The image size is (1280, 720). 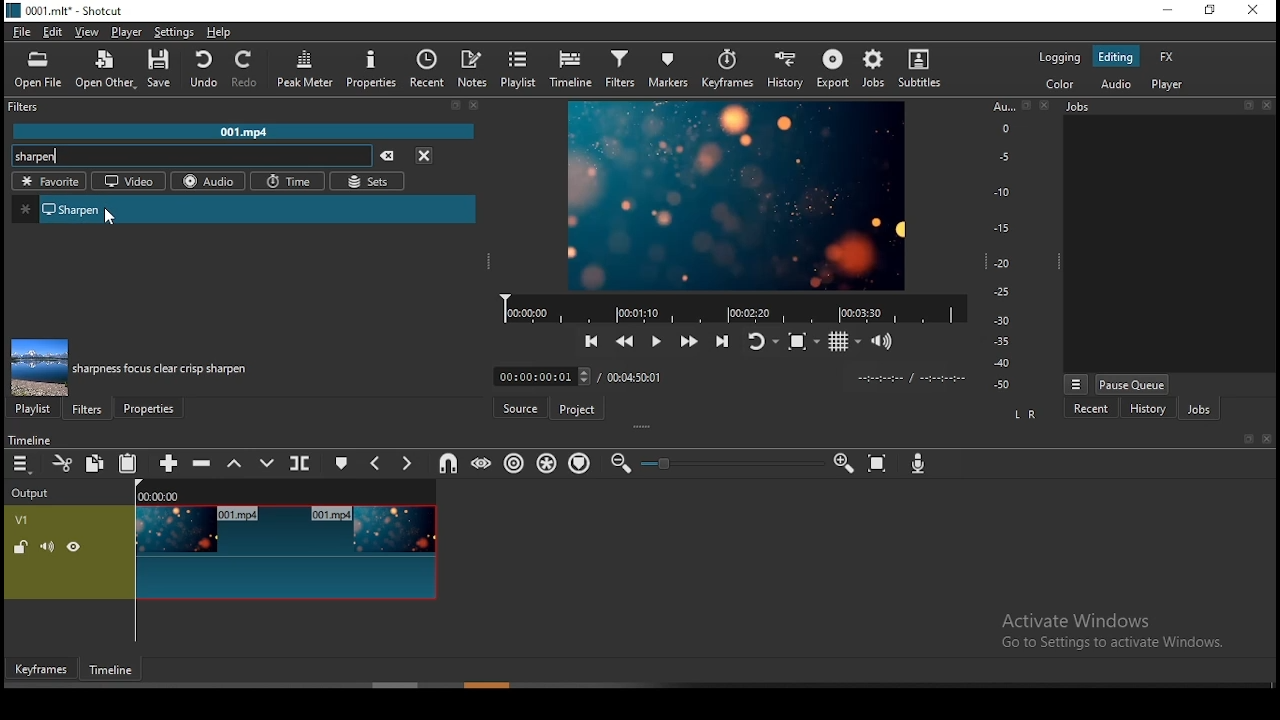 What do you see at coordinates (842, 343) in the screenshot?
I see `toggle grid display on the player` at bounding box center [842, 343].